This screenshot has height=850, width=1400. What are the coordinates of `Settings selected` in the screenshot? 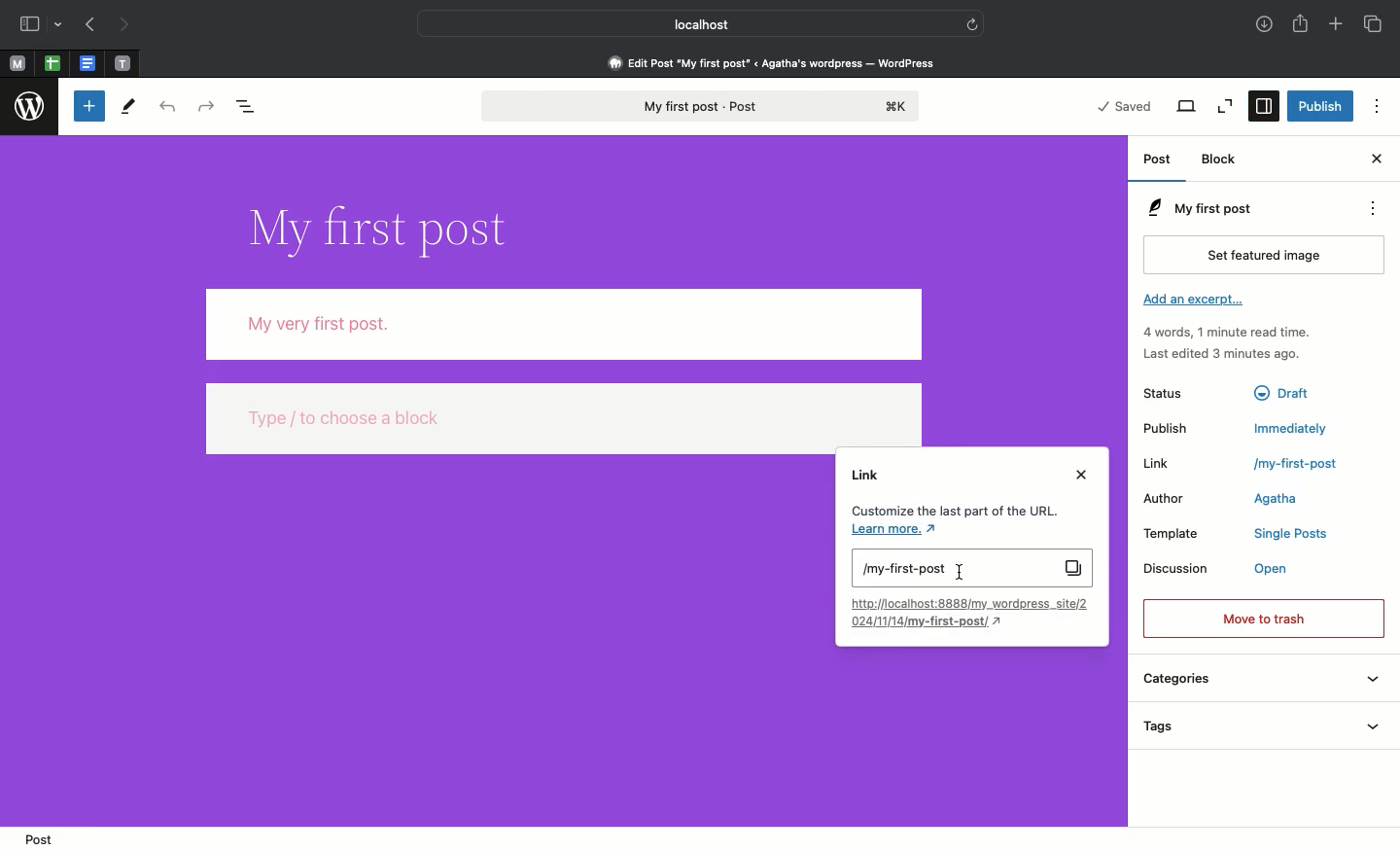 It's located at (1262, 106).